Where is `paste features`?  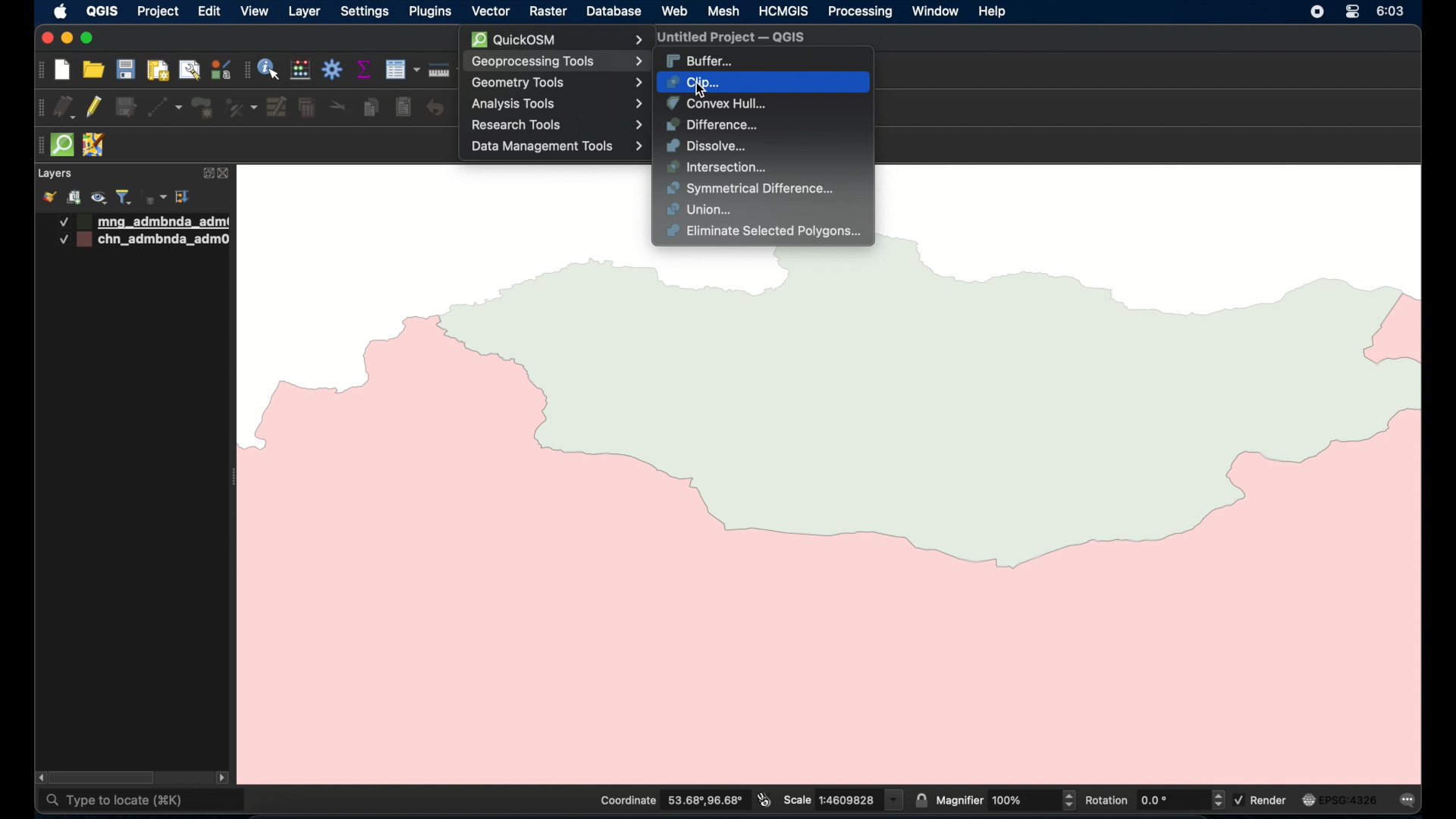 paste features is located at coordinates (404, 108).